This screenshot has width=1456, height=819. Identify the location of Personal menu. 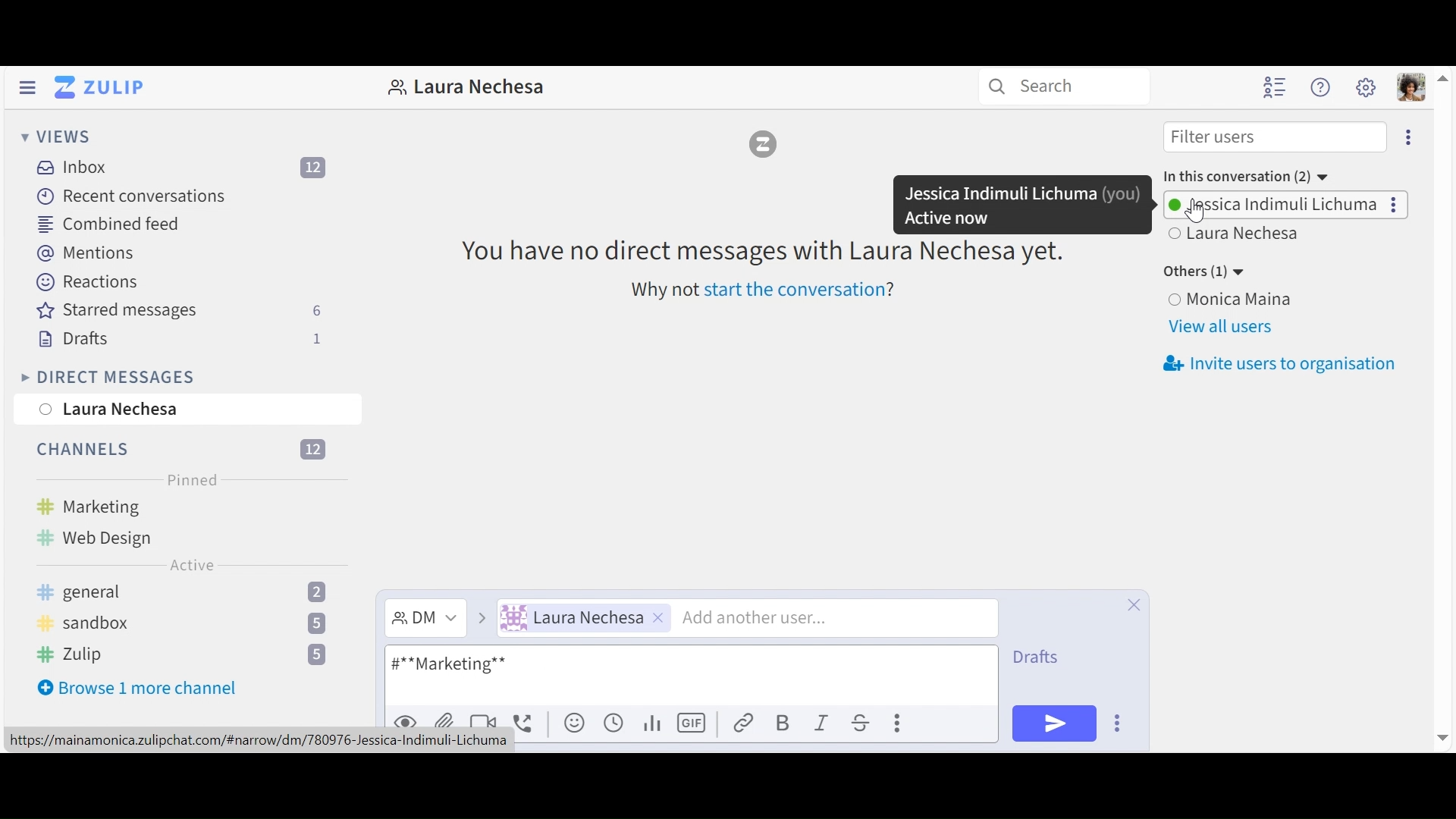
(1413, 89).